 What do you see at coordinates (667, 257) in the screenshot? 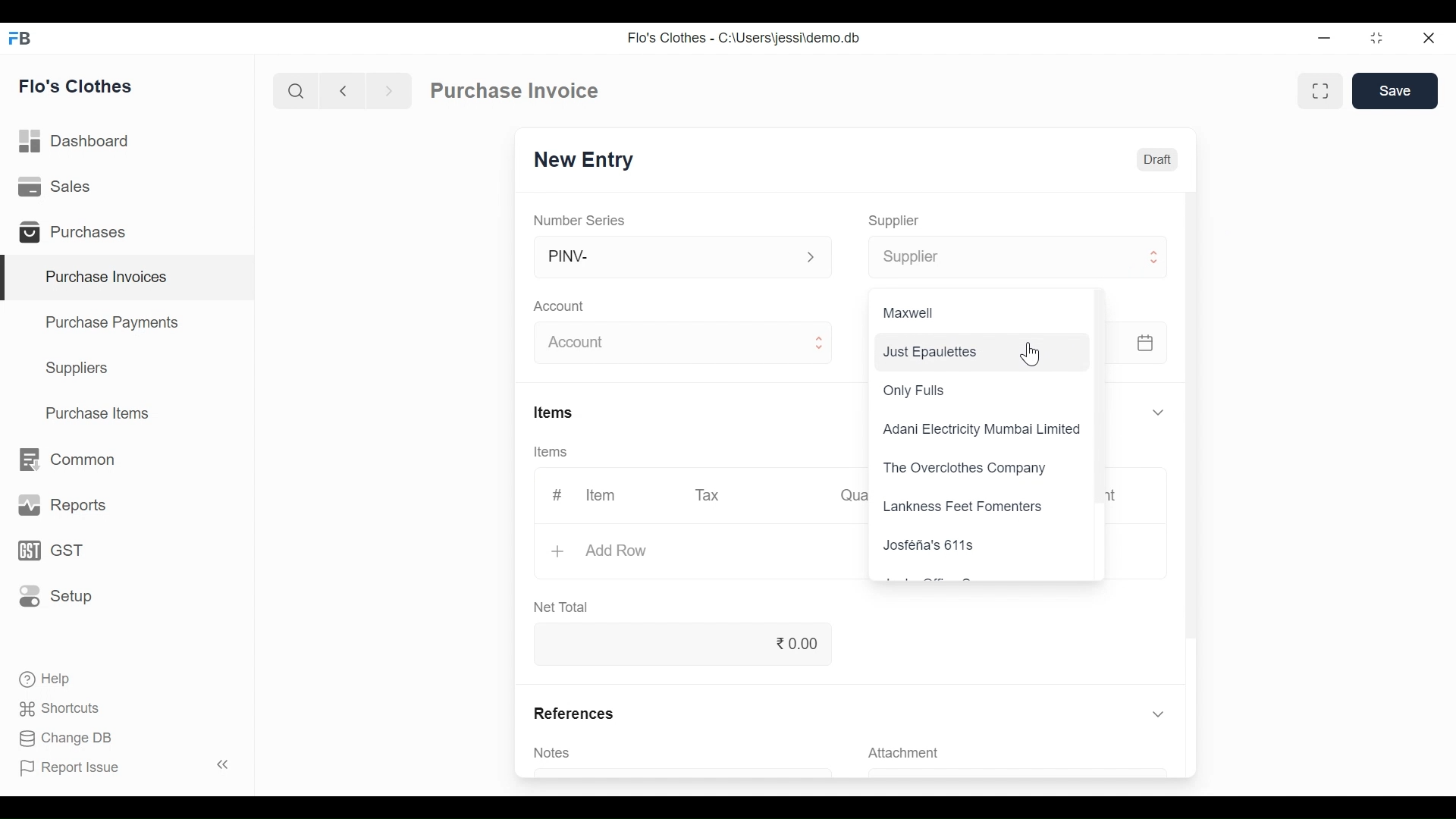
I see `PINV-` at bounding box center [667, 257].